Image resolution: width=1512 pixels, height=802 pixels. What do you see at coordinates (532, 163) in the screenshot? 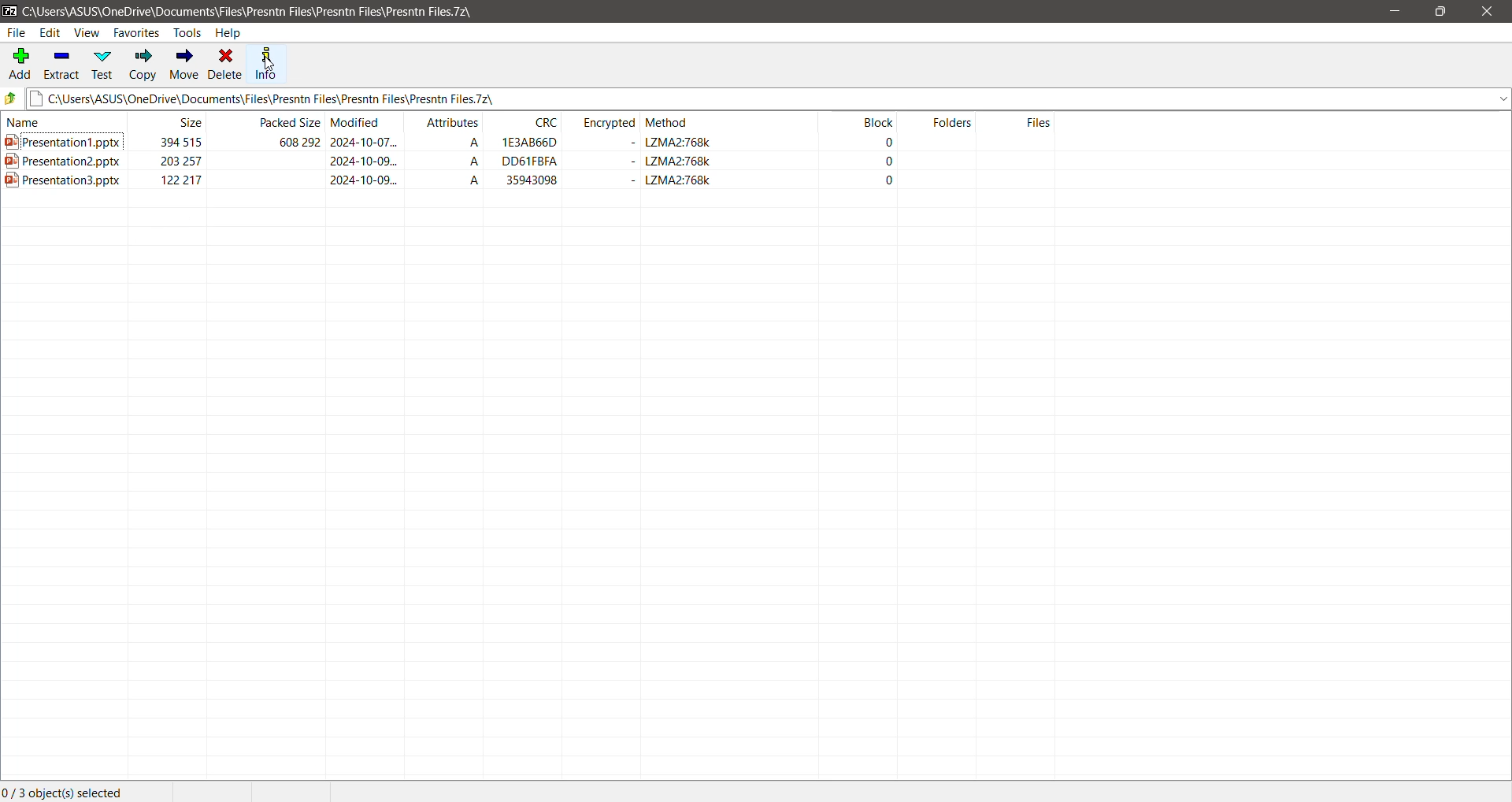
I see `DD61FBFA` at bounding box center [532, 163].